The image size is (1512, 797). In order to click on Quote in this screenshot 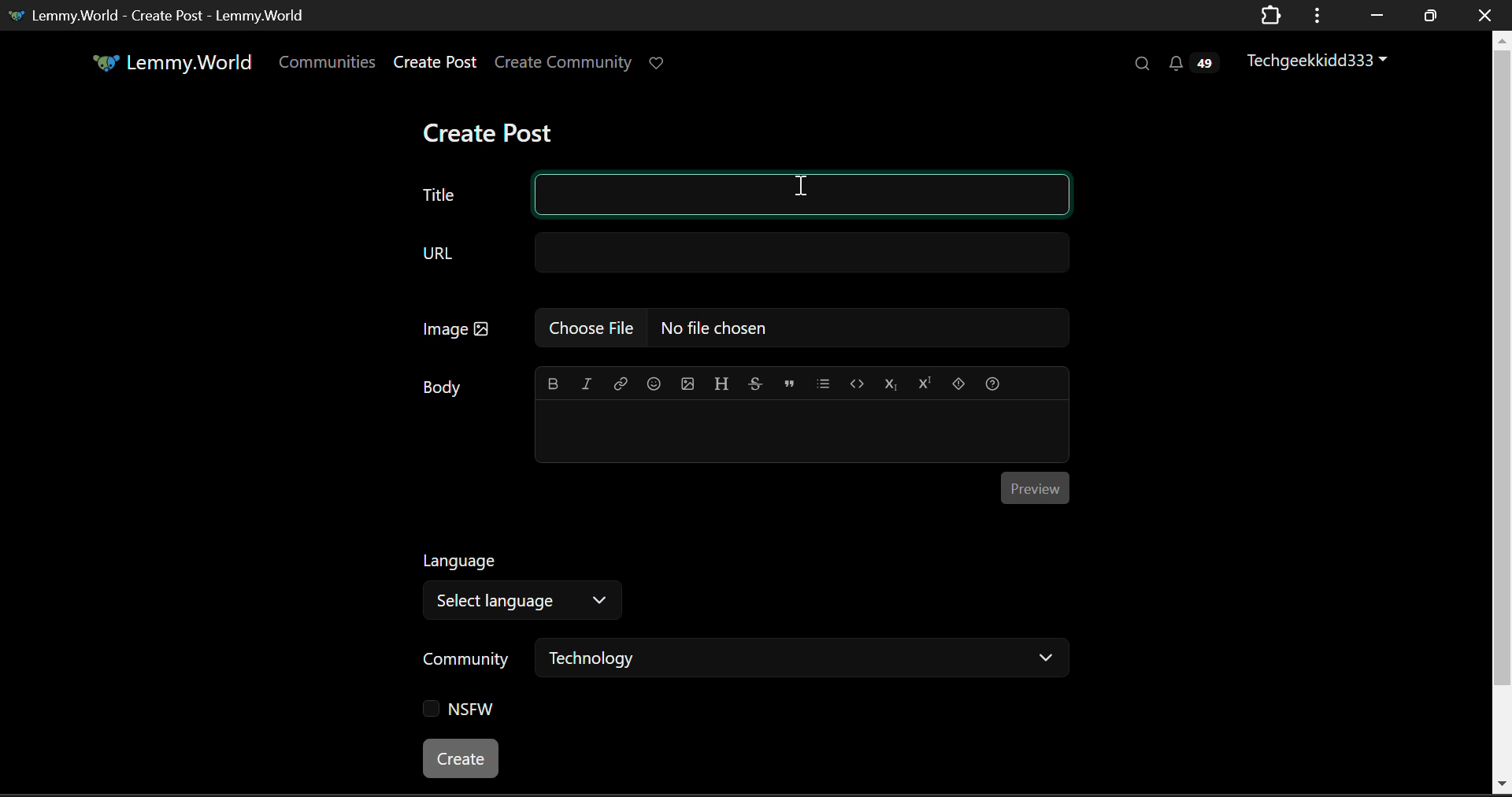, I will do `click(788, 384)`.